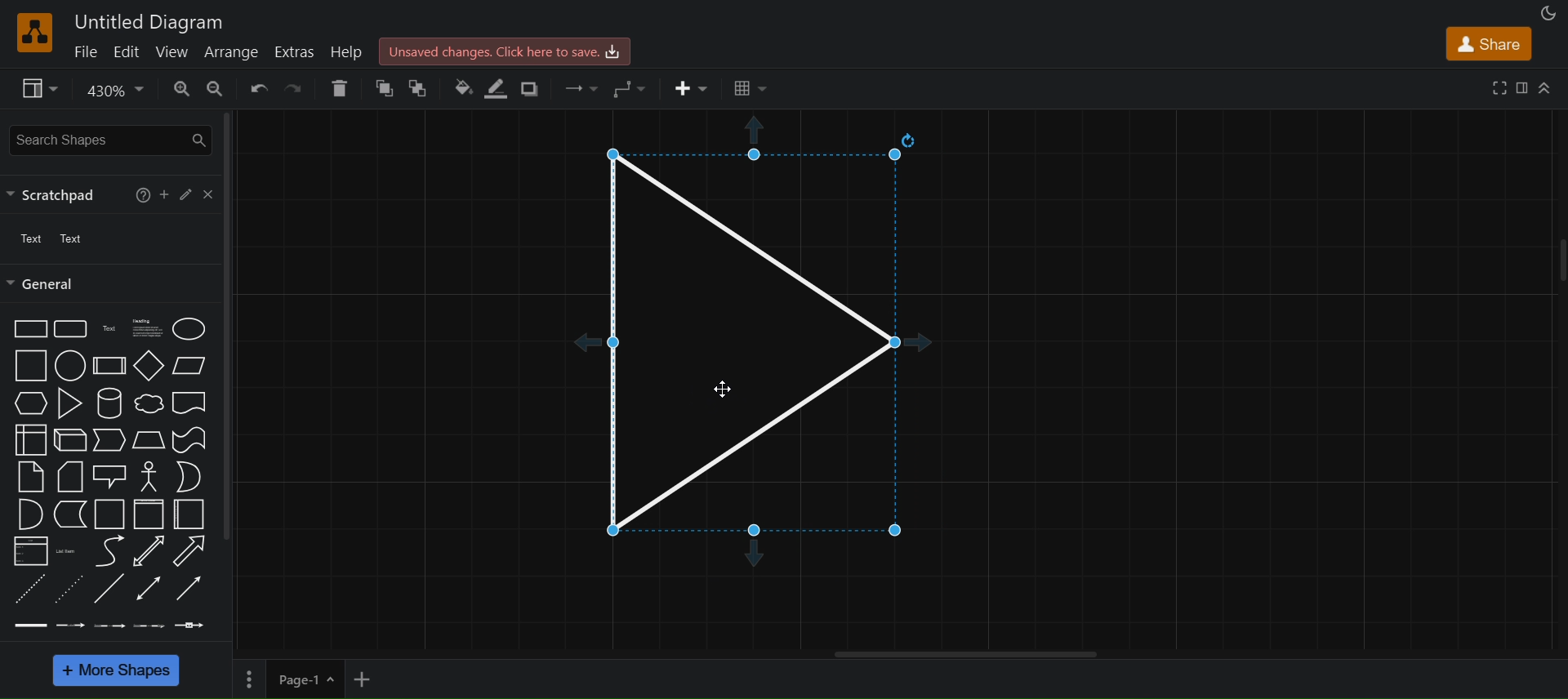 This screenshot has height=699, width=1568. I want to click on appearance, so click(1546, 12).